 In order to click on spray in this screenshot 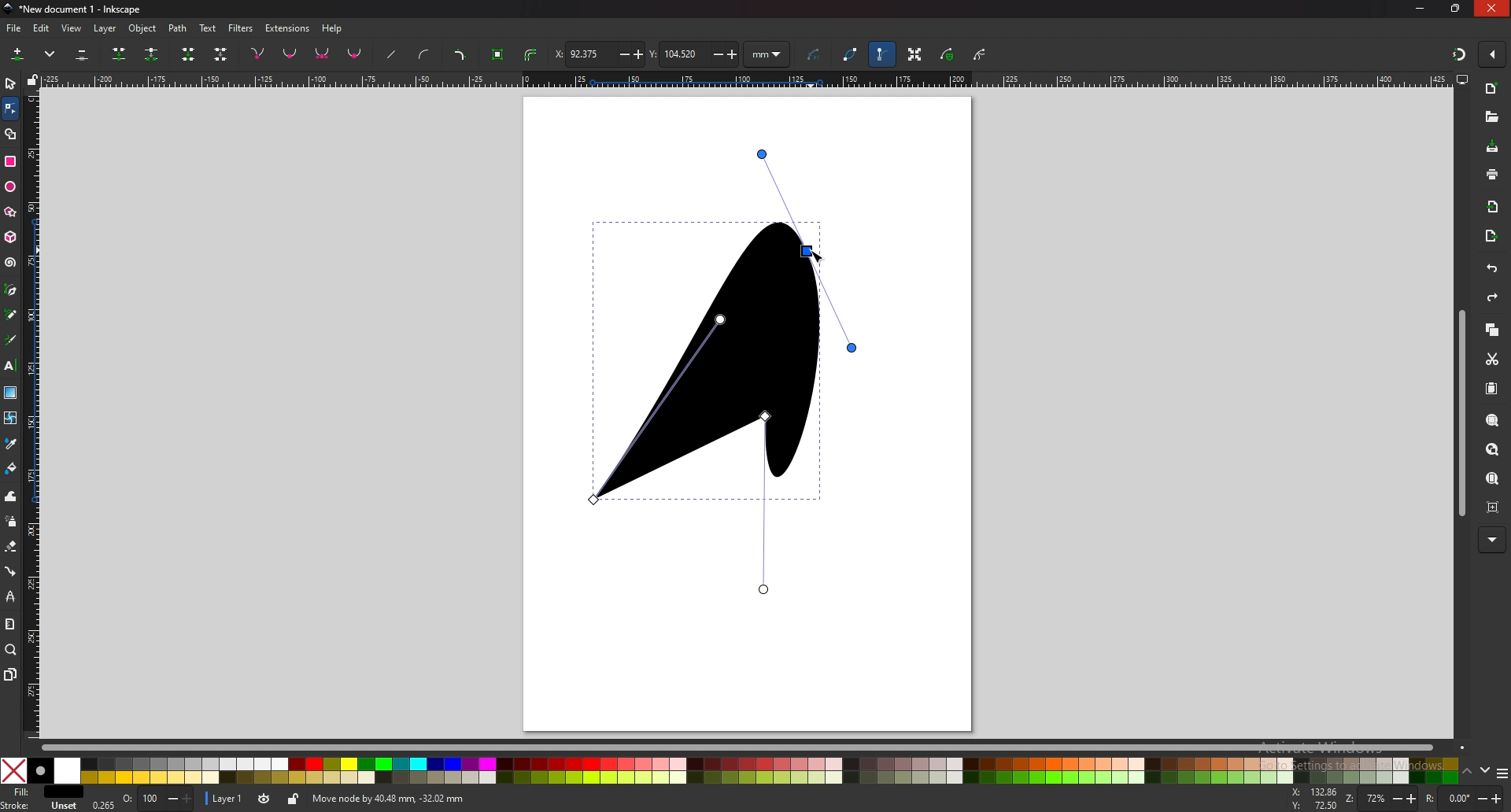, I will do `click(11, 521)`.